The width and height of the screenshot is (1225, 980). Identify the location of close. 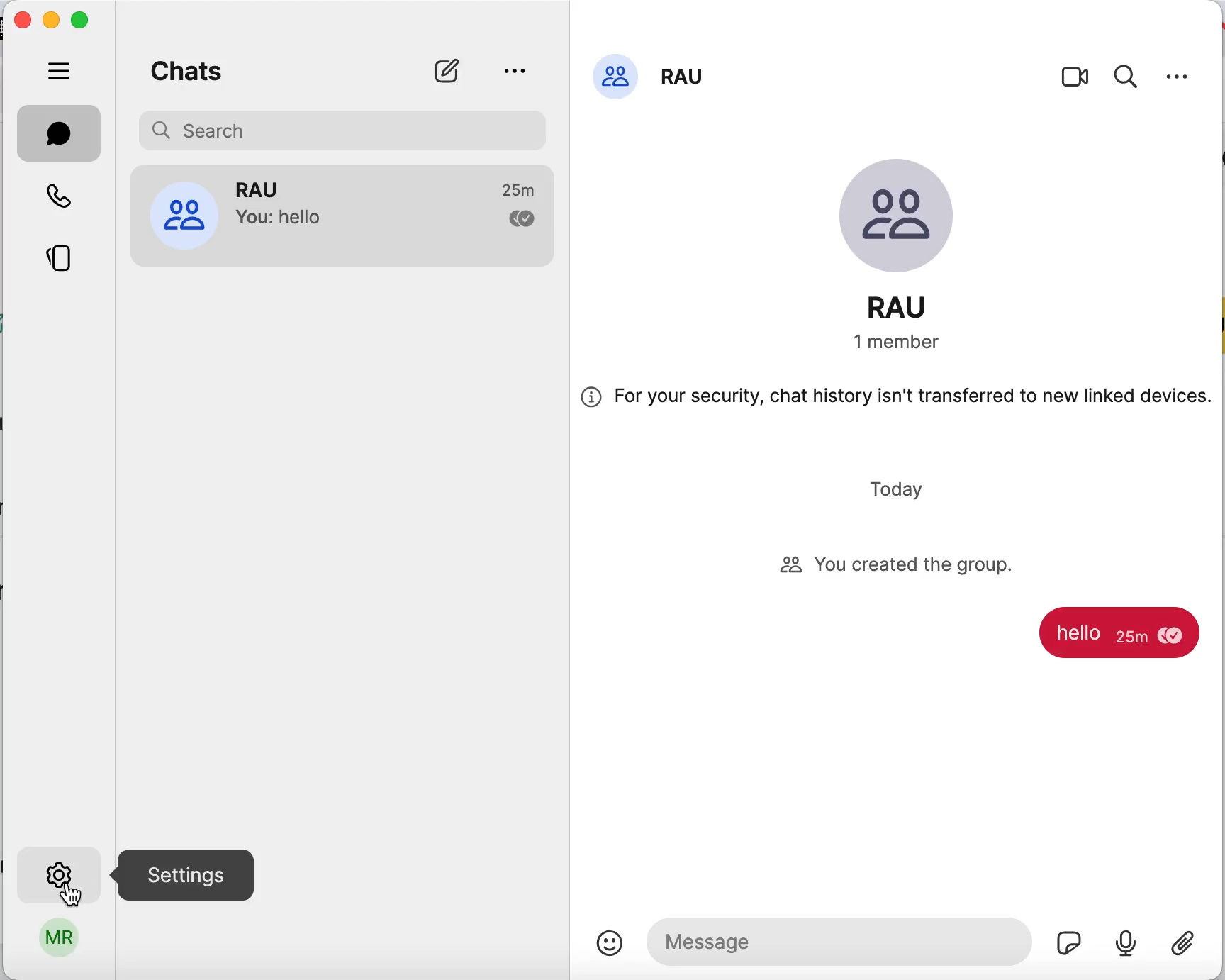
(23, 23).